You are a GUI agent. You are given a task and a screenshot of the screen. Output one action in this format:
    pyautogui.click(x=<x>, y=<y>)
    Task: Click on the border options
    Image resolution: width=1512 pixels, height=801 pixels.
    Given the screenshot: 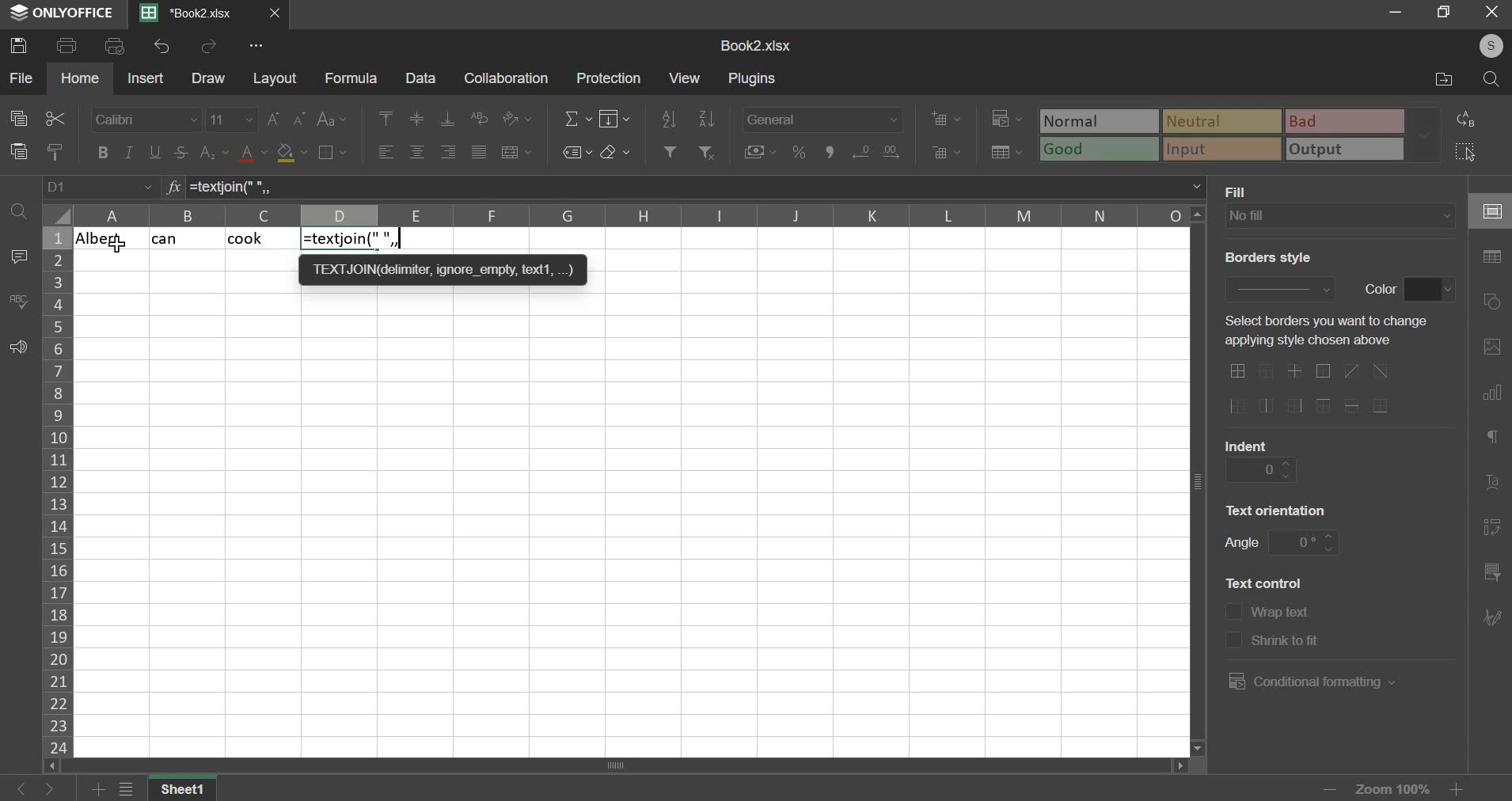 What is the action you would take?
    pyautogui.click(x=1316, y=389)
    